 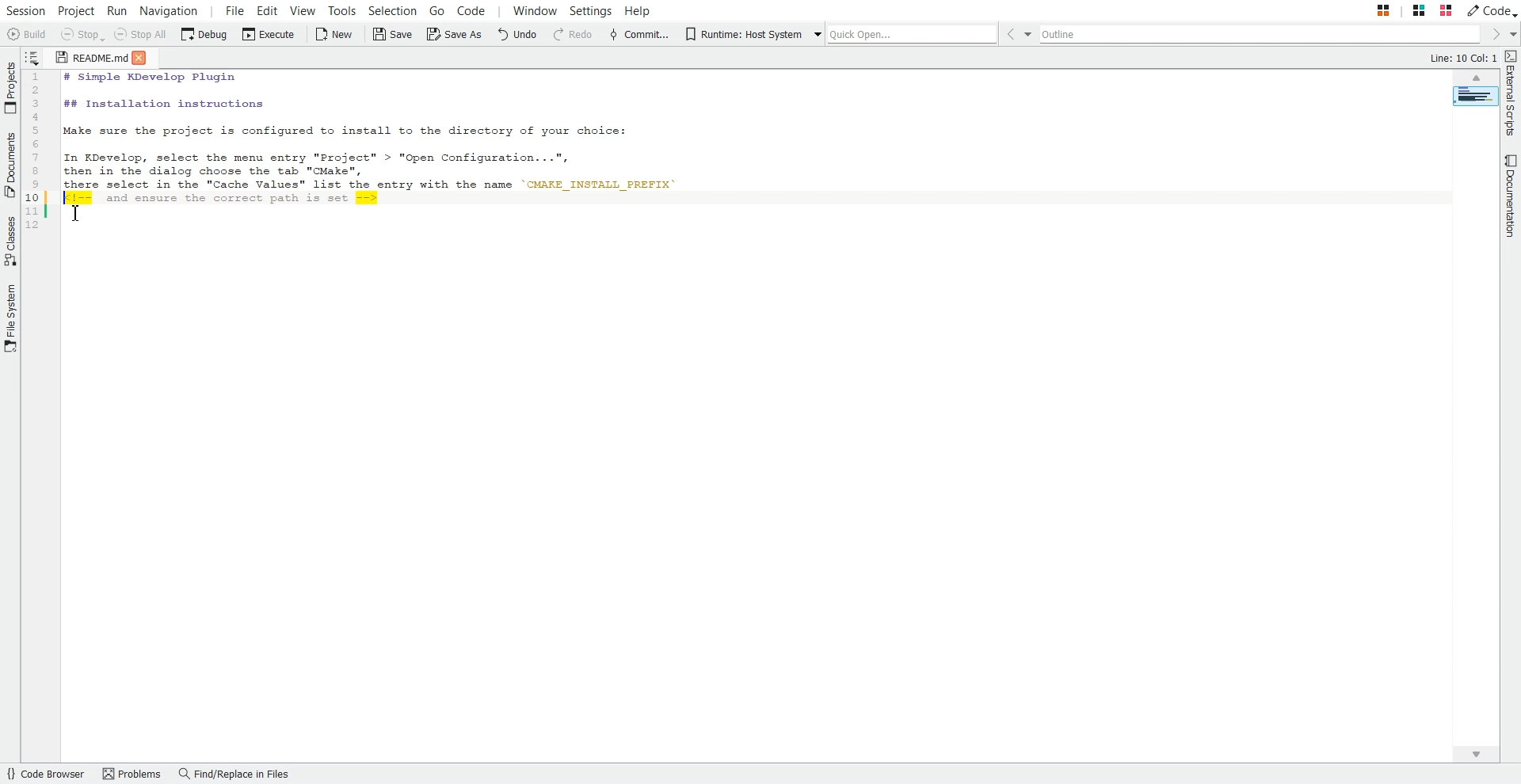 What do you see at coordinates (235, 10) in the screenshot?
I see `File` at bounding box center [235, 10].